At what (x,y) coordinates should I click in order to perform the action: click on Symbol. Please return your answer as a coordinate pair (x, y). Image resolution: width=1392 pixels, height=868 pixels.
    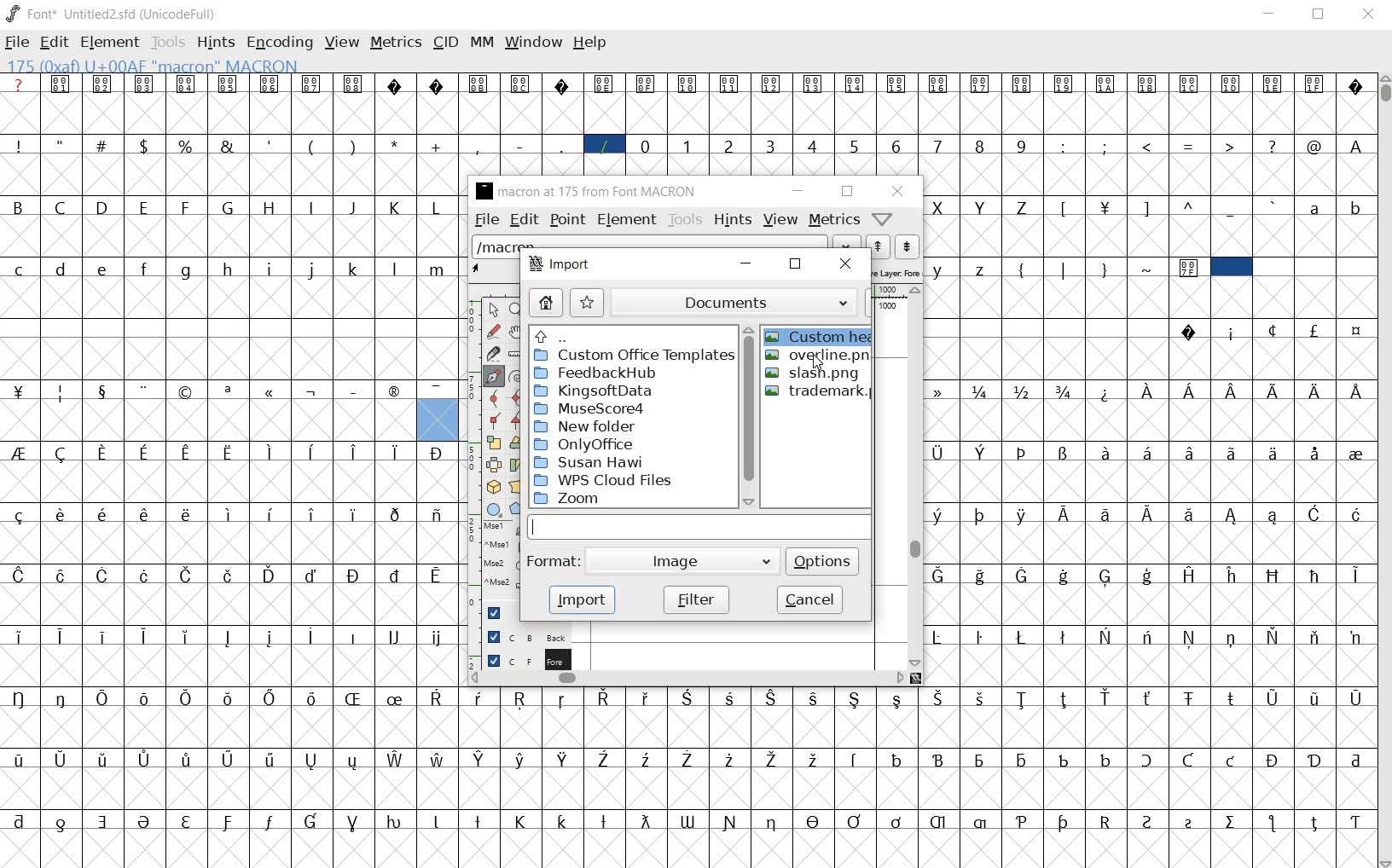
    Looking at the image, I should click on (20, 454).